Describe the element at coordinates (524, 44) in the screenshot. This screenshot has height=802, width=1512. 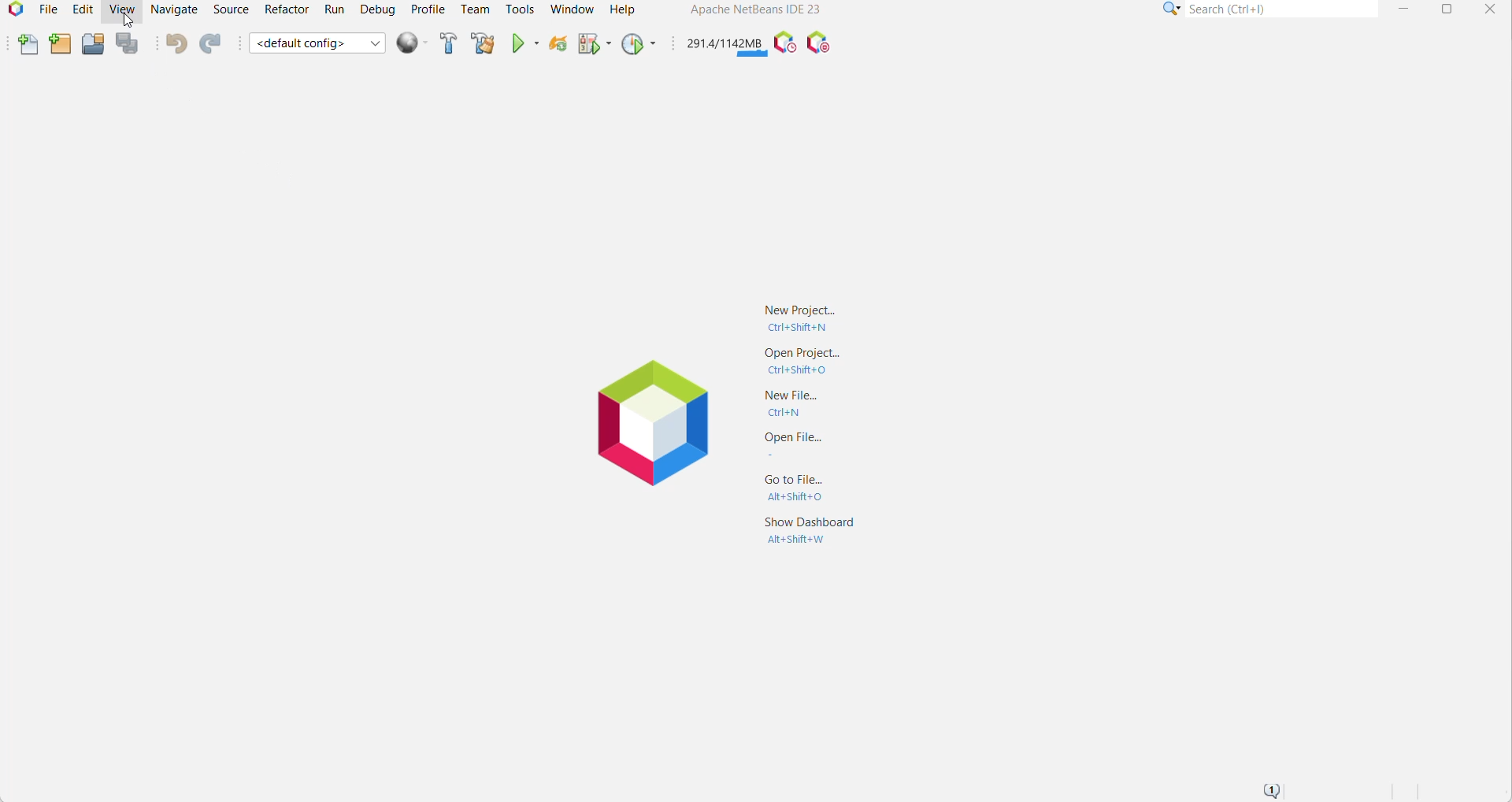
I see `Run Main Project` at that location.